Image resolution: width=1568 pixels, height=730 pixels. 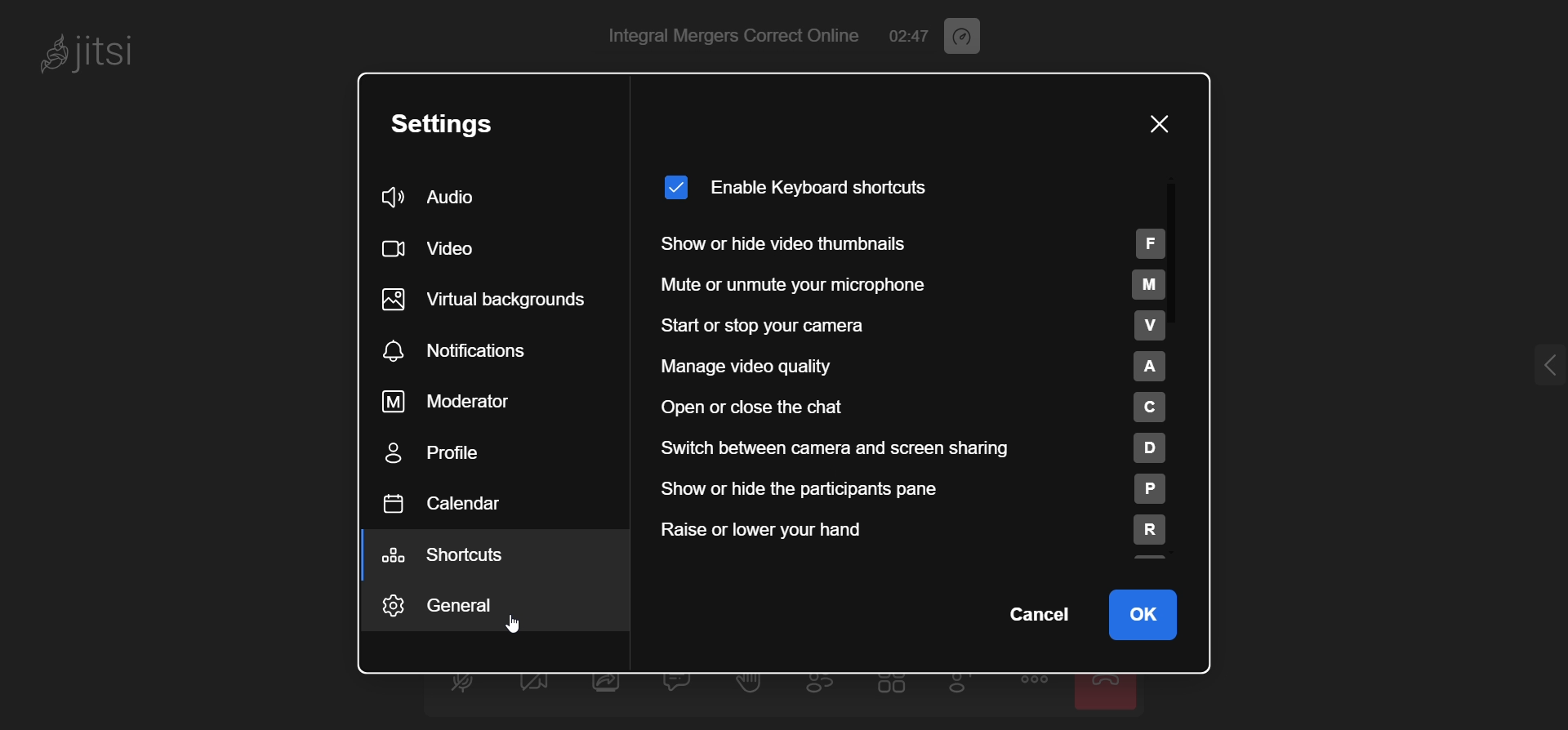 What do you see at coordinates (1158, 127) in the screenshot?
I see `close` at bounding box center [1158, 127].